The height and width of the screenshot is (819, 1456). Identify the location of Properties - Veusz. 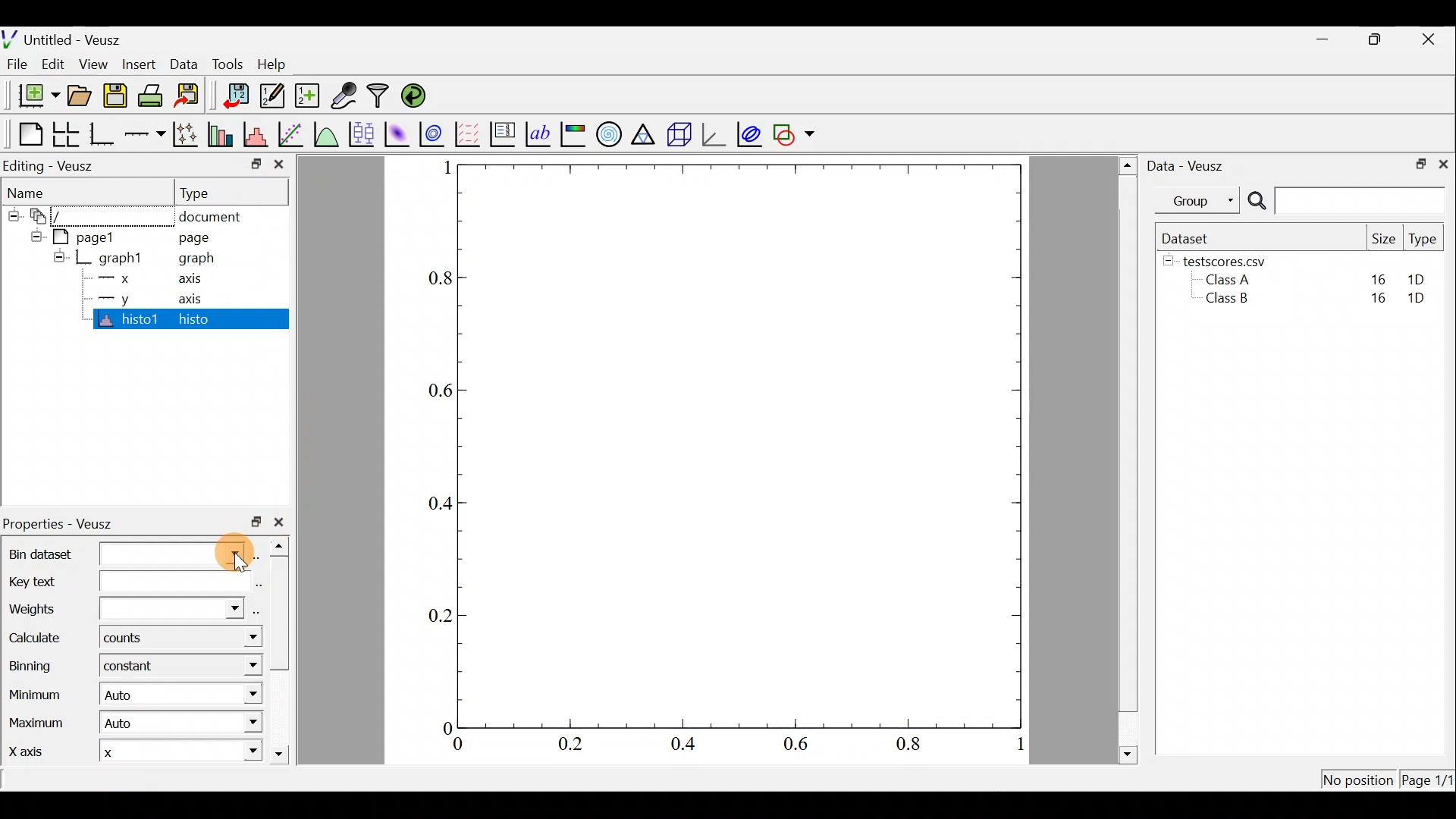
(61, 519).